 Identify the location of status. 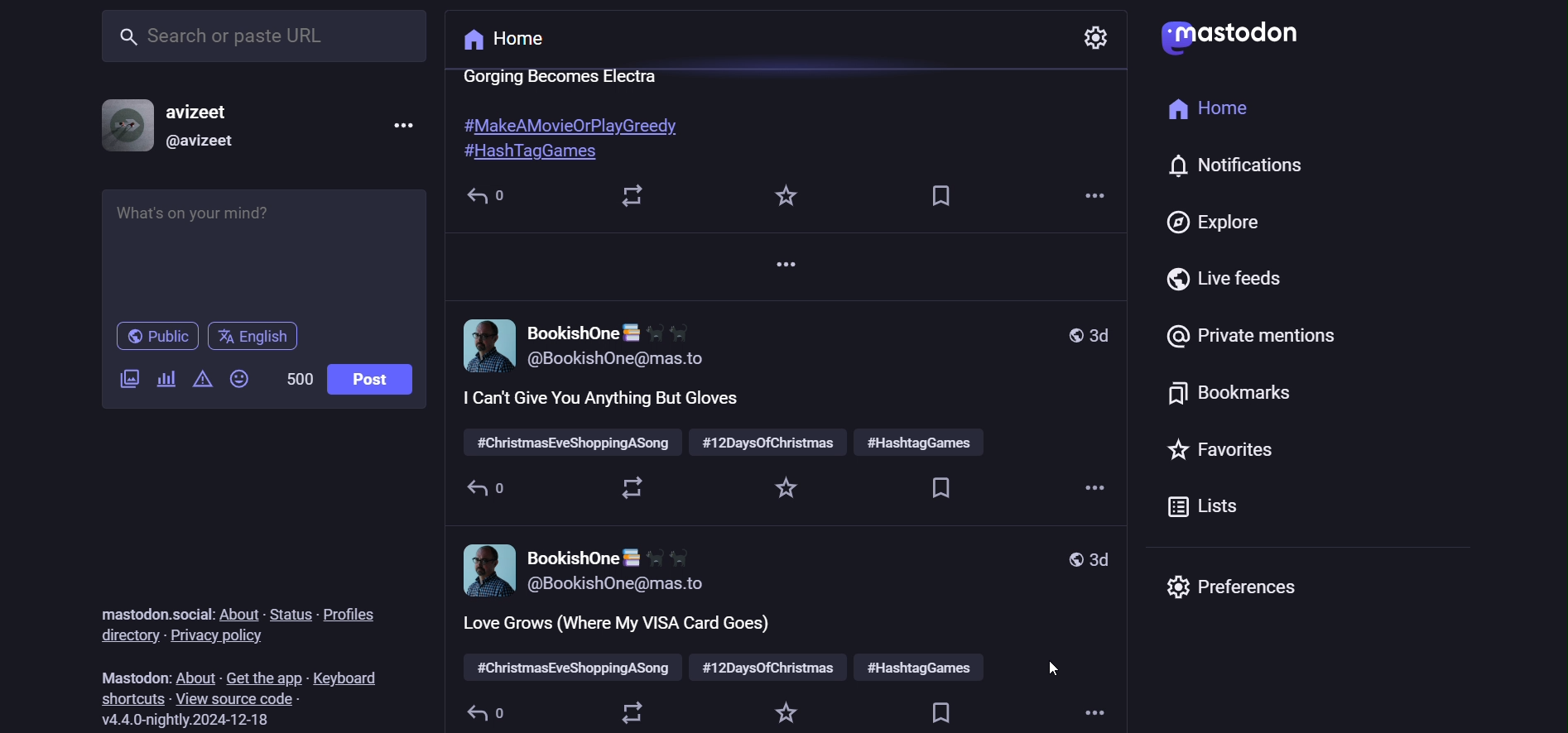
(291, 614).